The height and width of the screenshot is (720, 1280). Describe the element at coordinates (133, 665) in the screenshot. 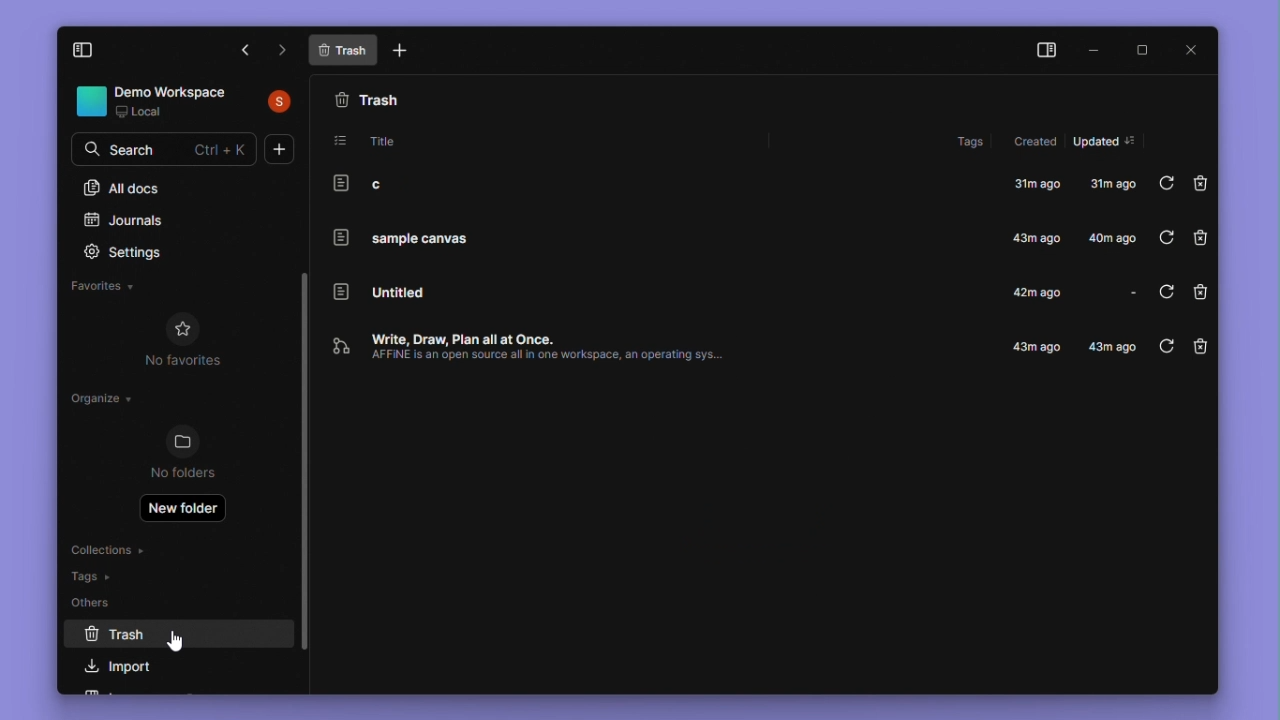

I see `Import` at that location.